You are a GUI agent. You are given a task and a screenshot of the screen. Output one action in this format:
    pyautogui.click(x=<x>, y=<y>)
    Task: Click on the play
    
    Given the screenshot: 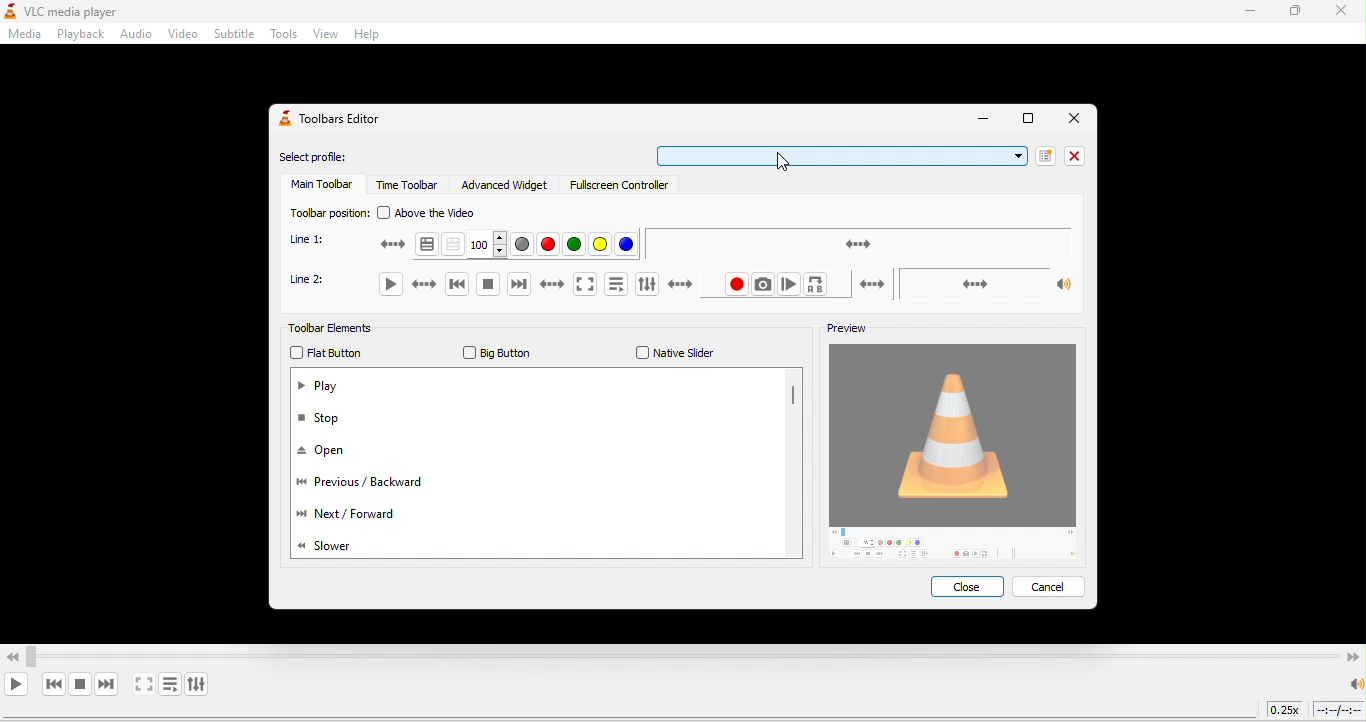 What is the action you would take?
    pyautogui.click(x=400, y=286)
    